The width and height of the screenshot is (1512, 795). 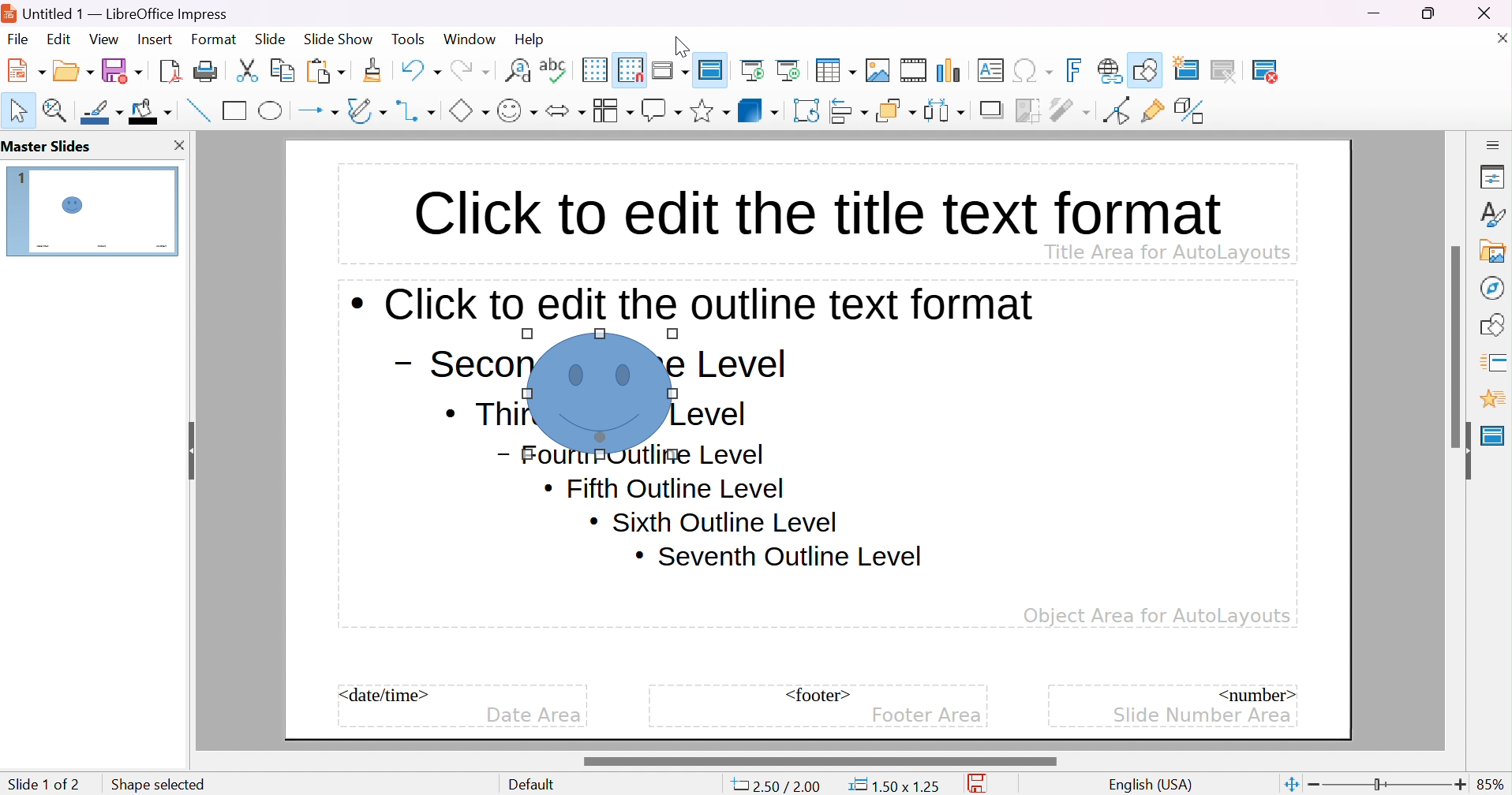 What do you see at coordinates (661, 110) in the screenshot?
I see `callout shapes` at bounding box center [661, 110].